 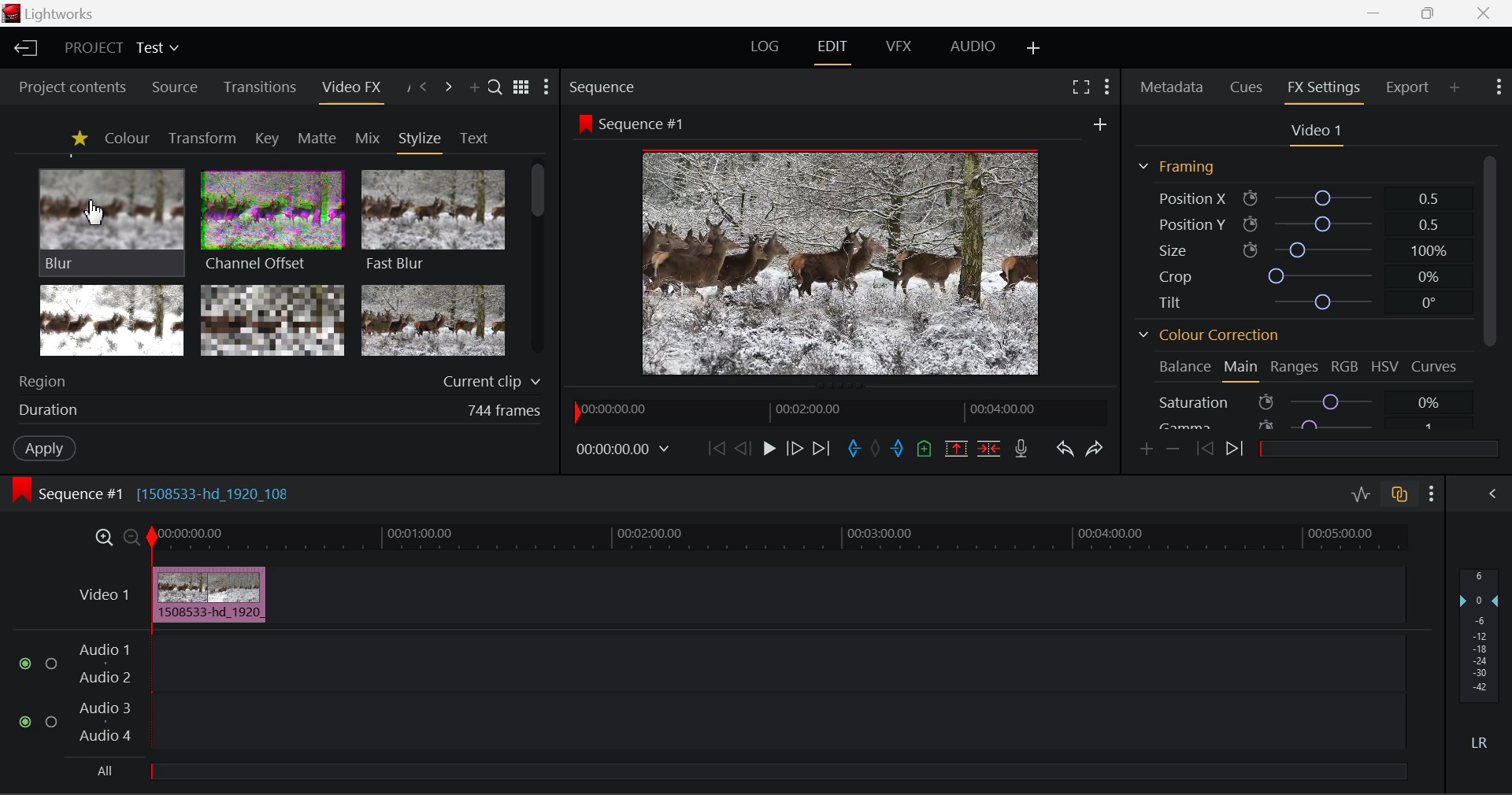 I want to click on Sequence #1 Preview Screen, so click(x=843, y=244).